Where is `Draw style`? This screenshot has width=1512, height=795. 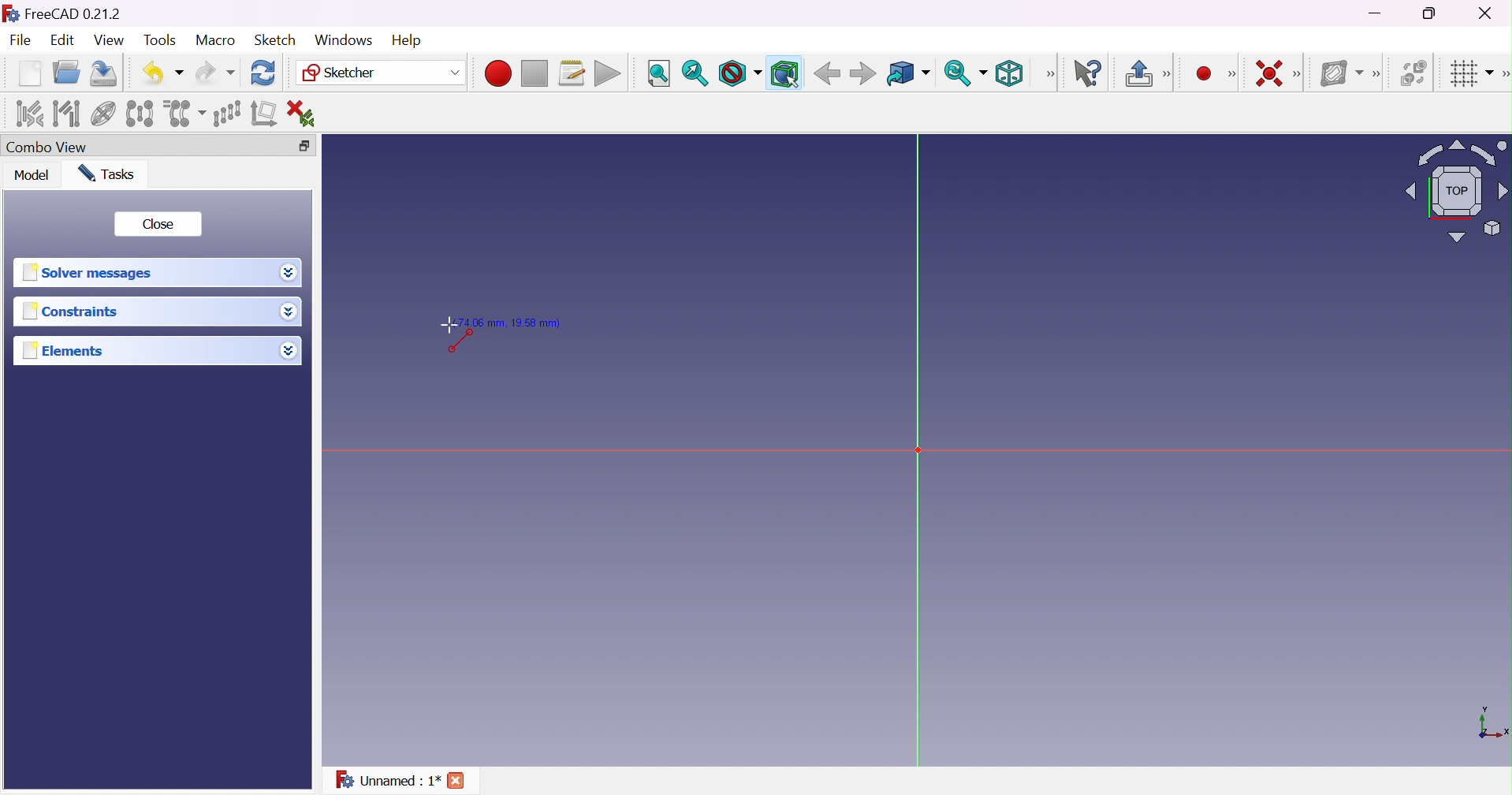
Draw style is located at coordinates (740, 73).